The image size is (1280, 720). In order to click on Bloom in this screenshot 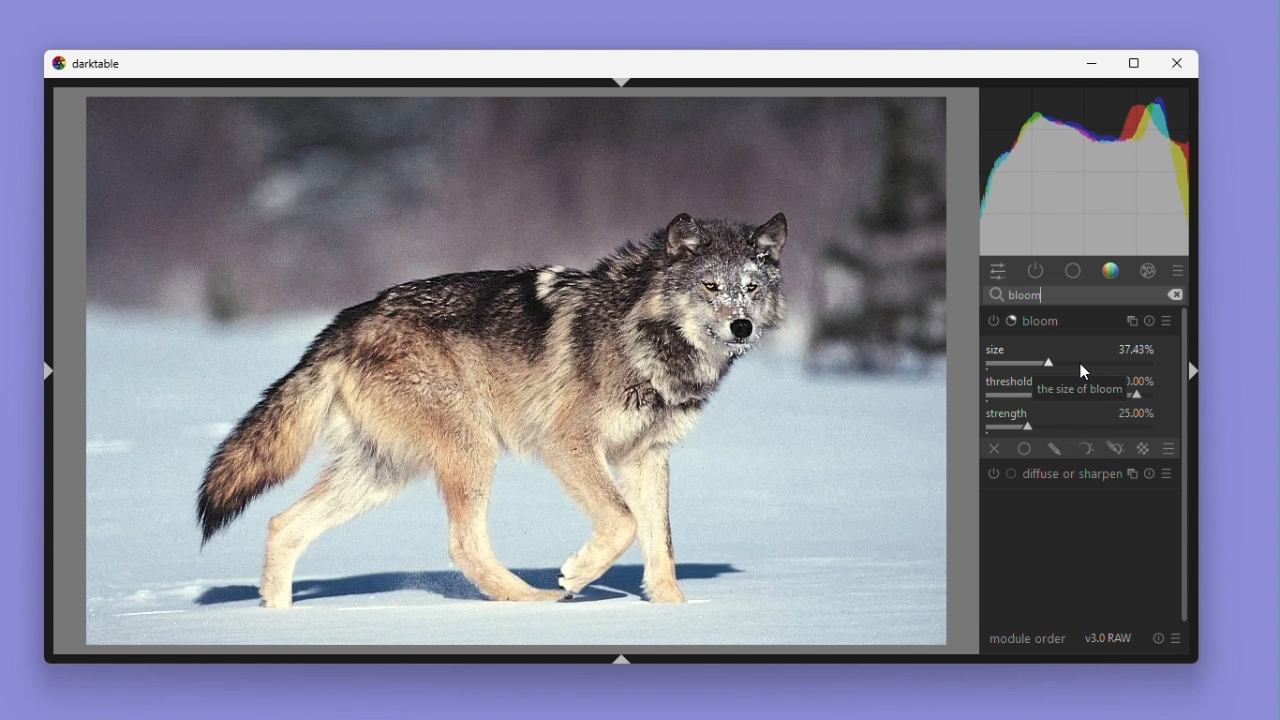, I will do `click(1049, 322)`.